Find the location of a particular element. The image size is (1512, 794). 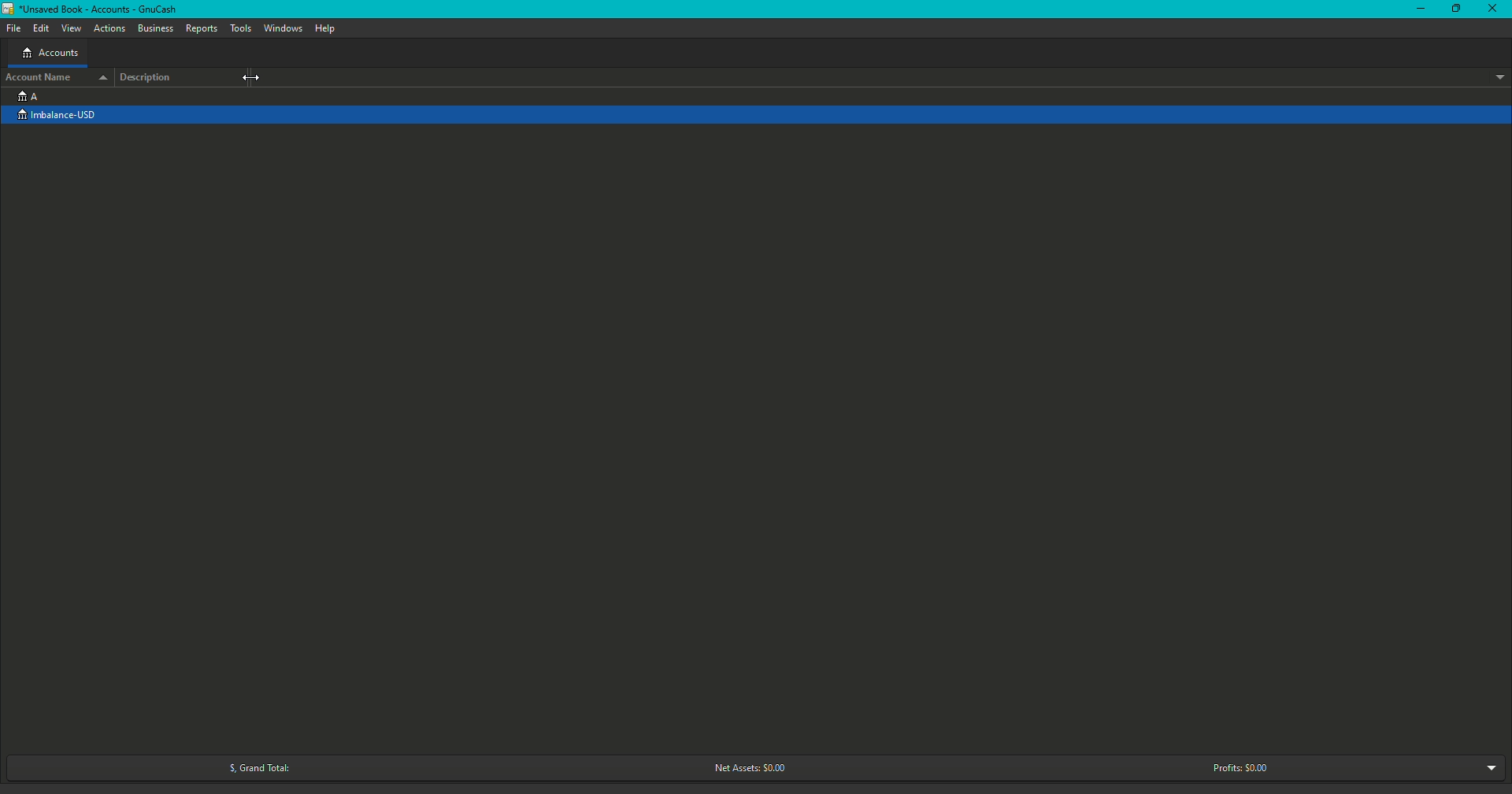

Drag is located at coordinates (250, 77).